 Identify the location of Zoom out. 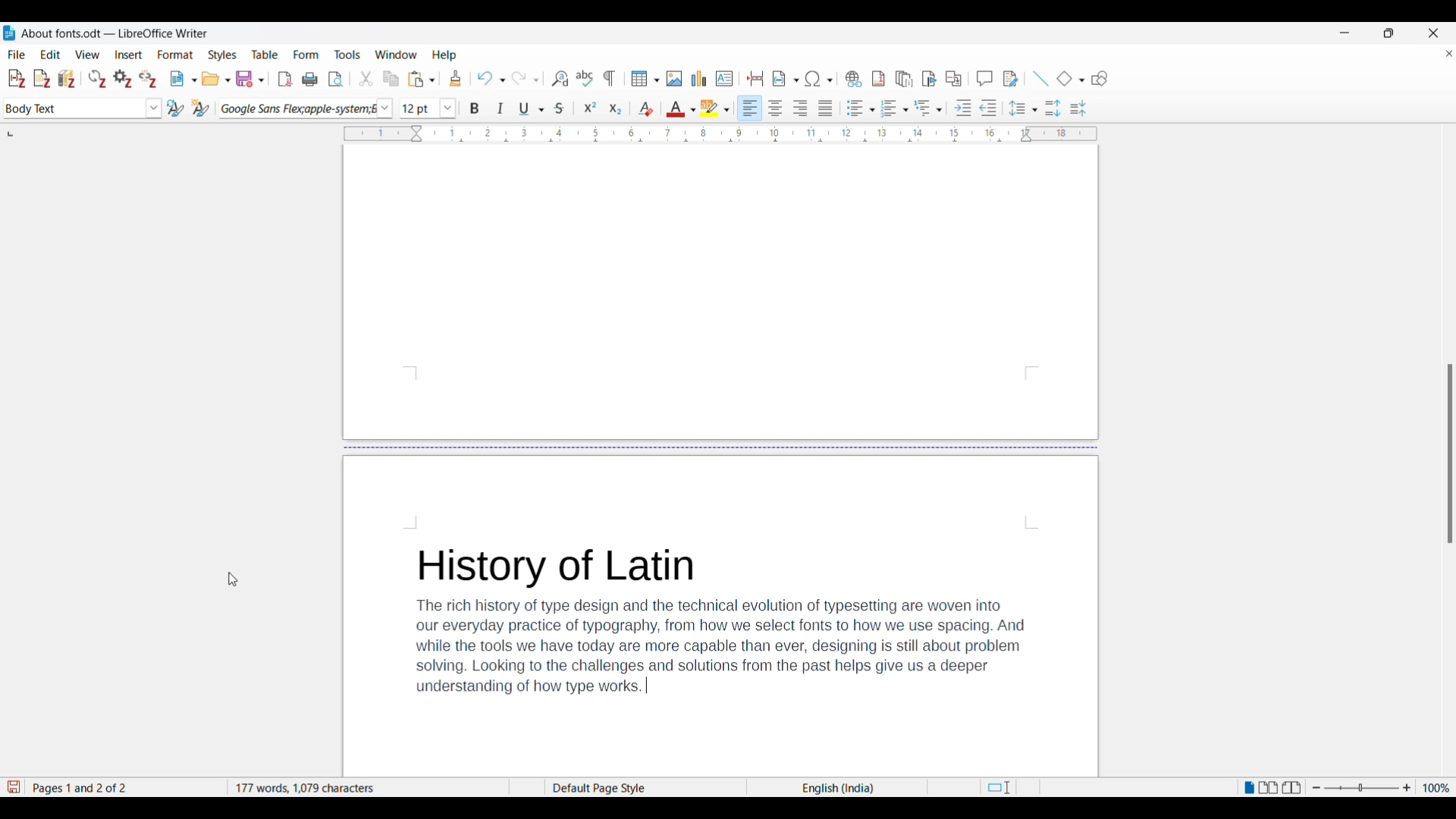
(1316, 789).